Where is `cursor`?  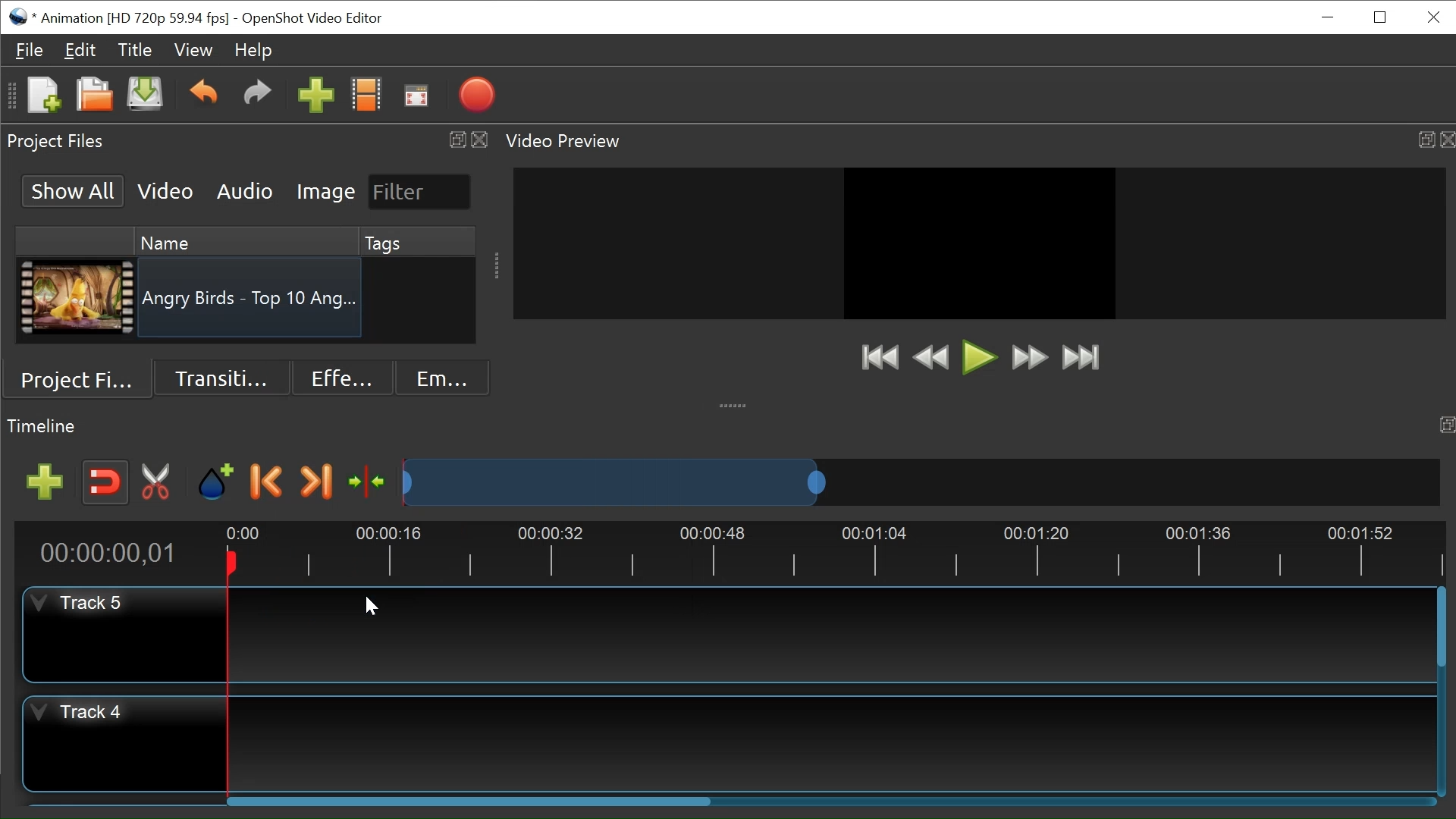 cursor is located at coordinates (375, 608).